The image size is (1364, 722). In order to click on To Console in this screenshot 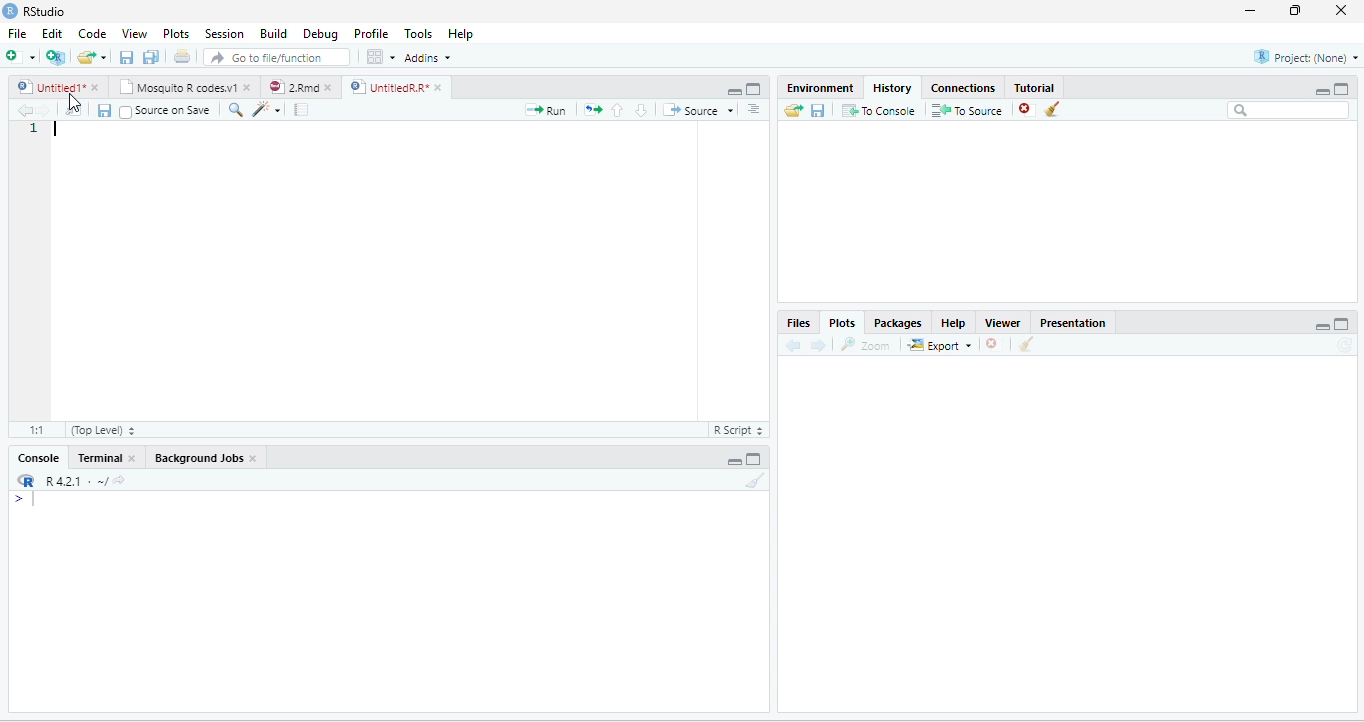, I will do `click(879, 111)`.